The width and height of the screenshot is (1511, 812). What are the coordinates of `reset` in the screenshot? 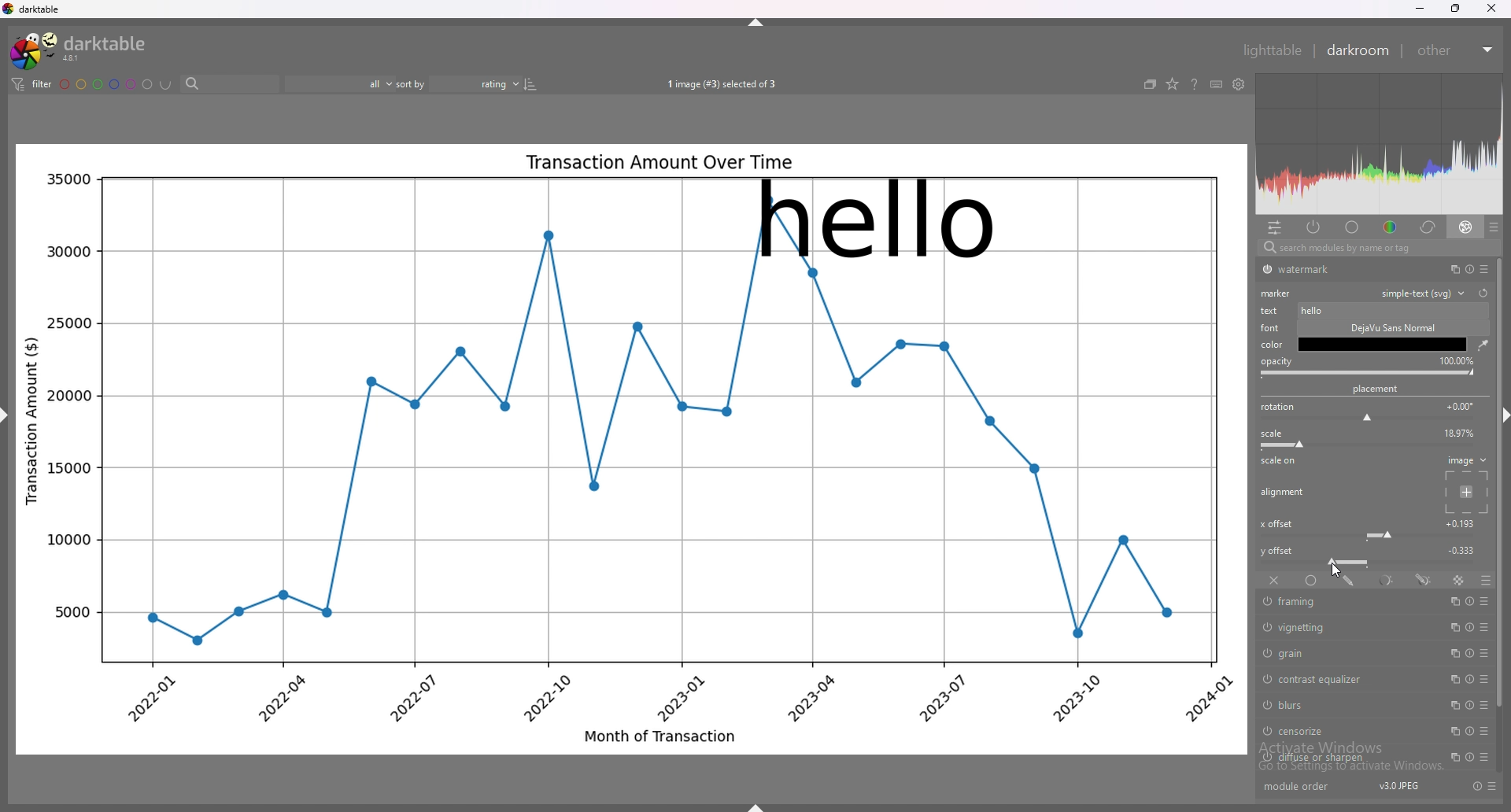 It's located at (1469, 706).